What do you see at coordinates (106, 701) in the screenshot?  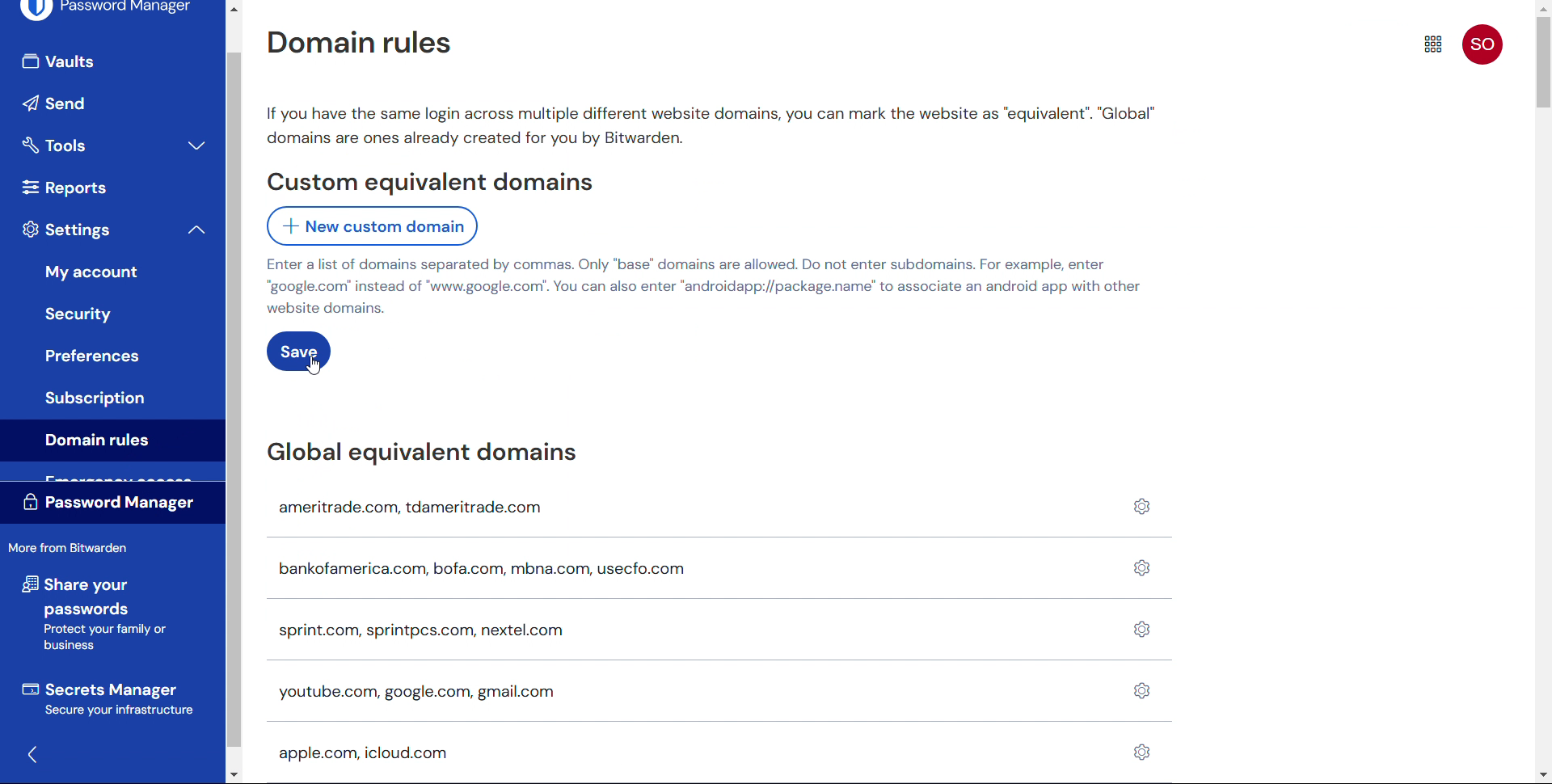 I see `Secrets manager Secure your infrastructure` at bounding box center [106, 701].